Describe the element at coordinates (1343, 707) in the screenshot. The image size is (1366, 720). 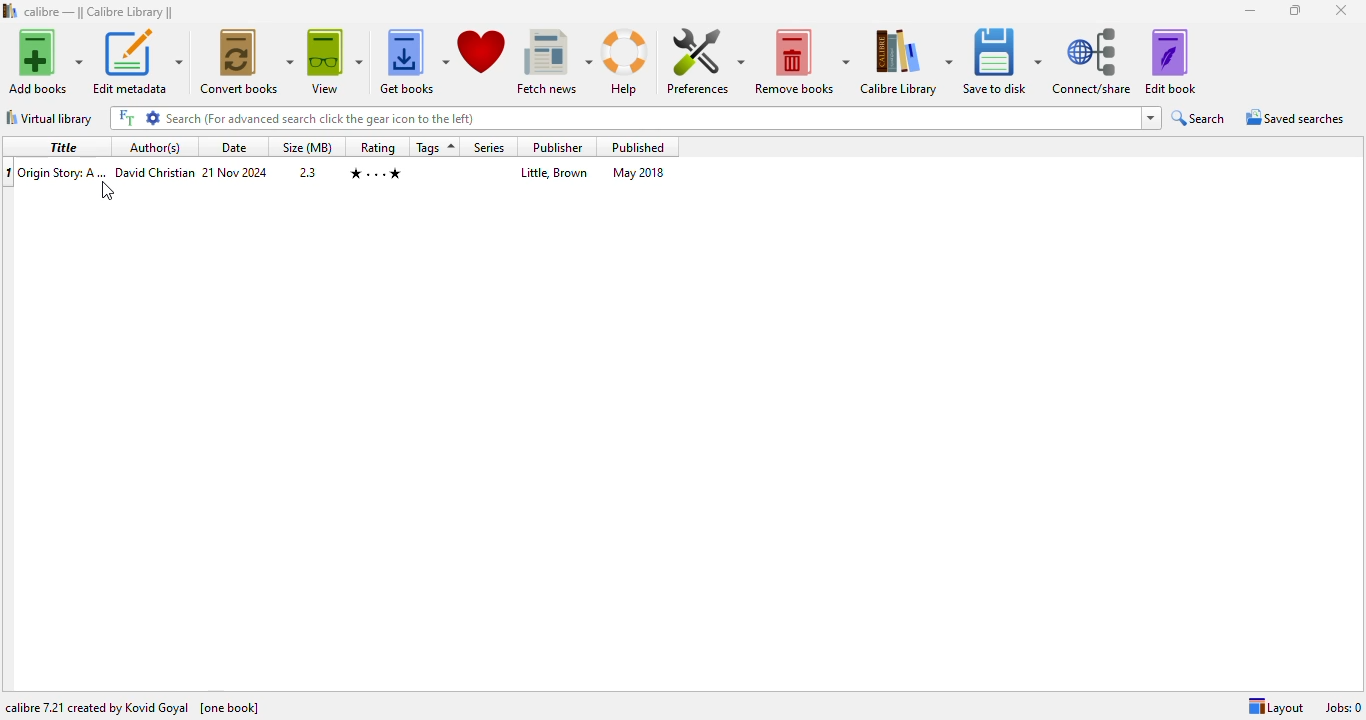
I see `Jobs: 0` at that location.